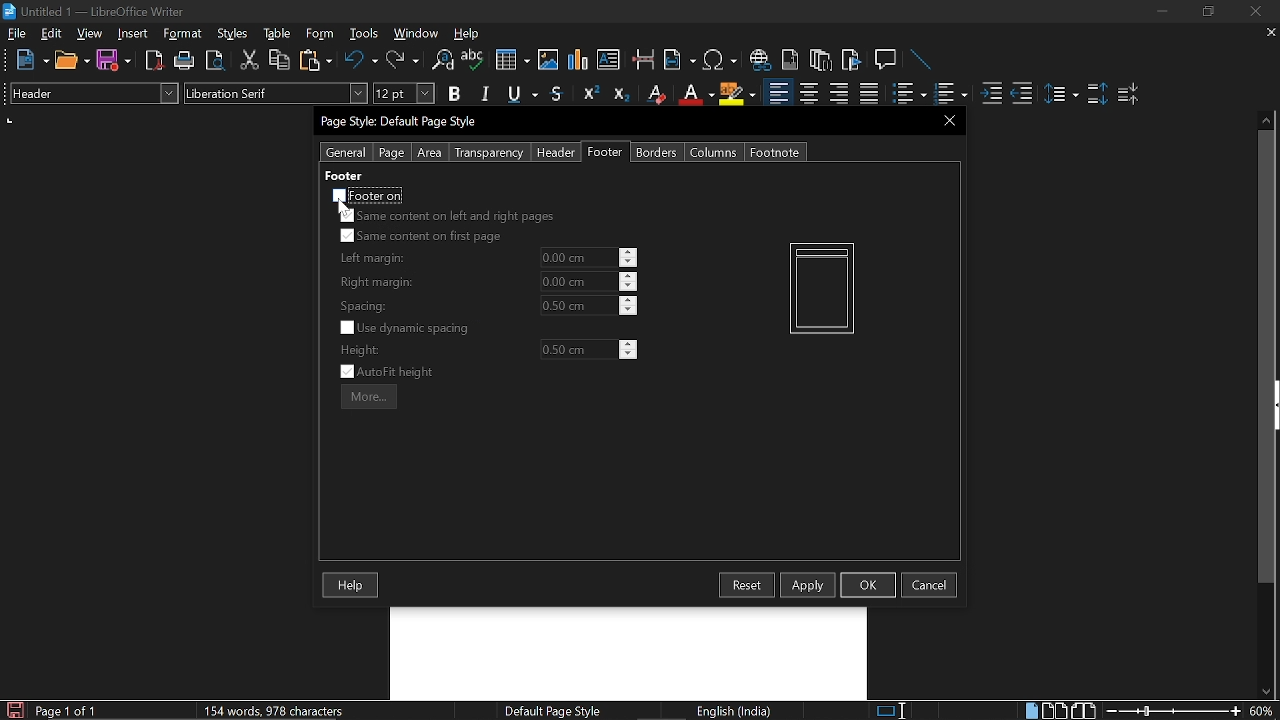 The width and height of the screenshot is (1280, 720). I want to click on Footer, so click(606, 152).